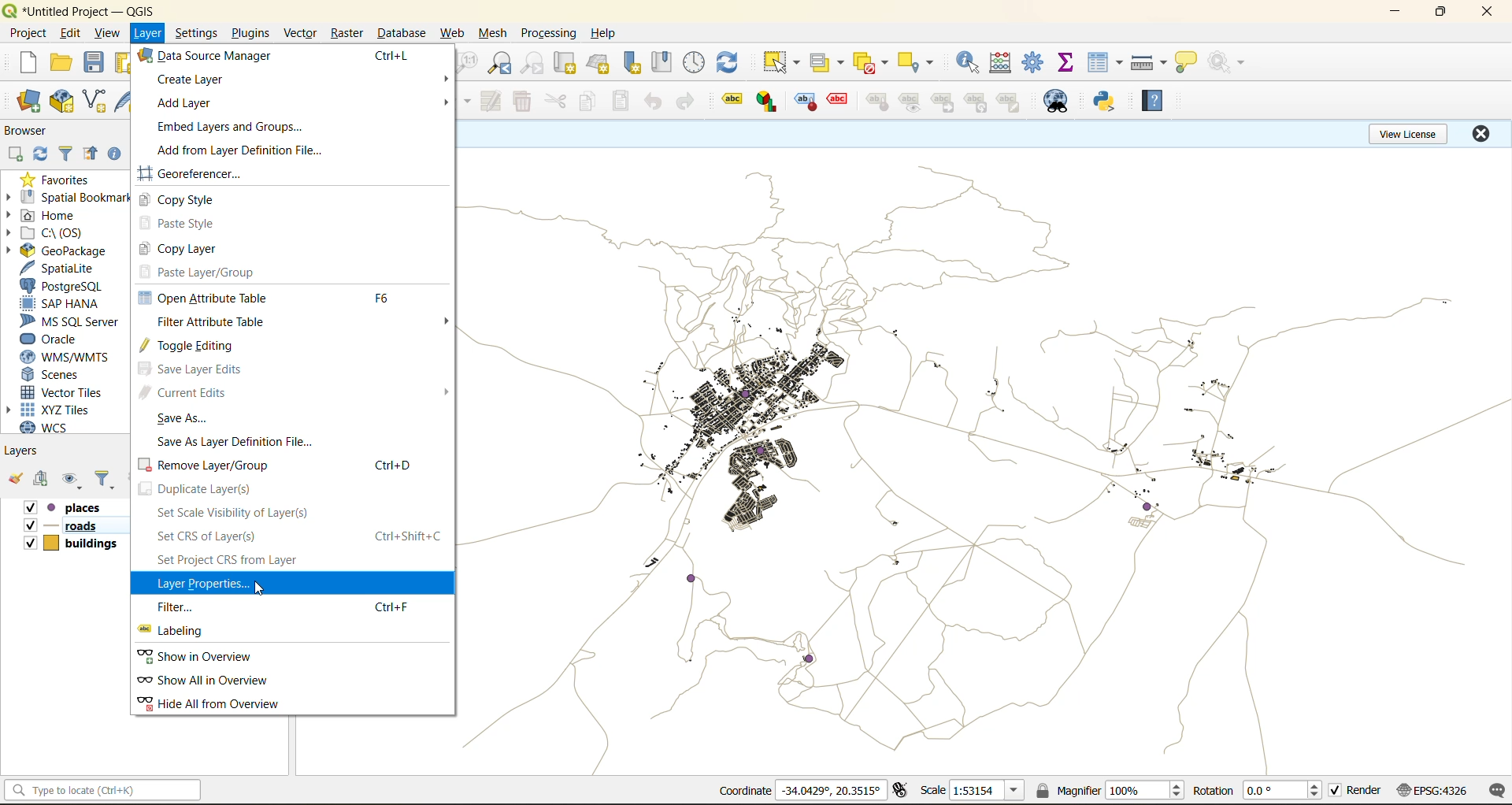 This screenshot has height=805, width=1512. Describe the element at coordinates (24, 102) in the screenshot. I see `open data source manager` at that location.